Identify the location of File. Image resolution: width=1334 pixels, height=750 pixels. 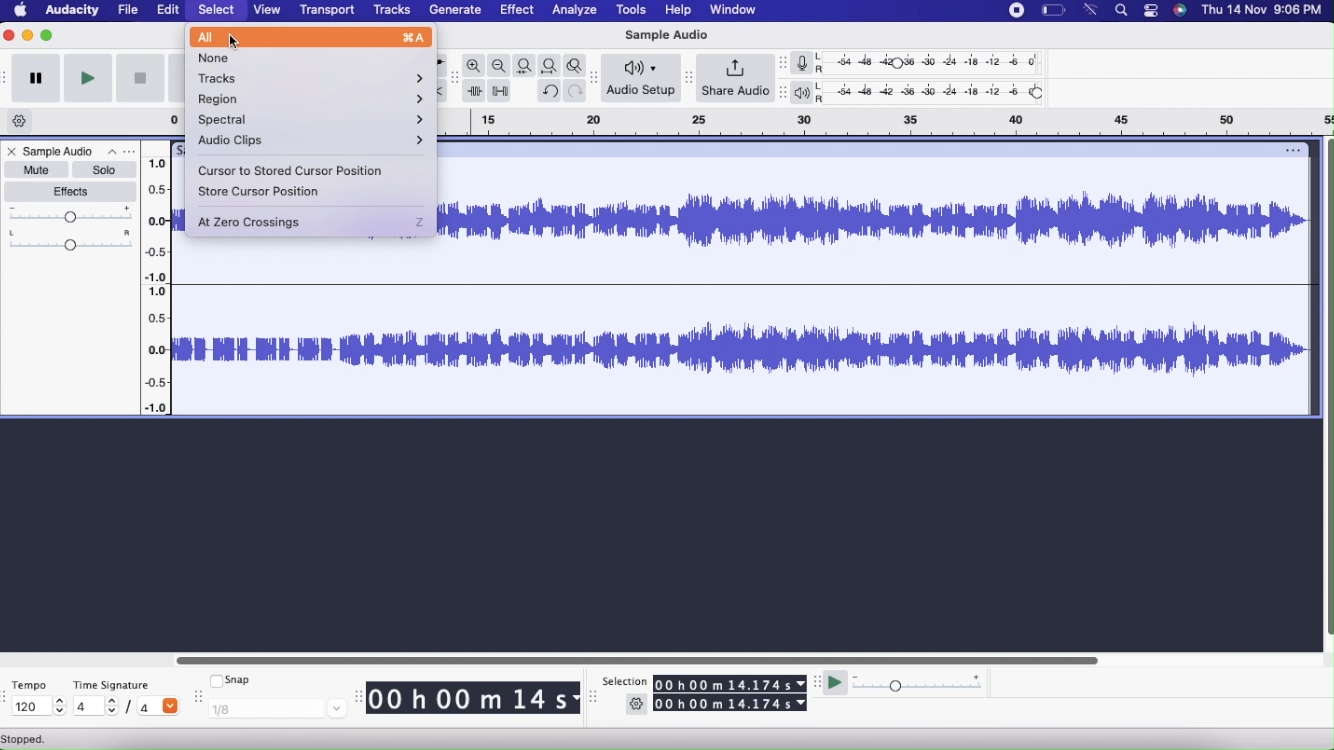
(128, 9).